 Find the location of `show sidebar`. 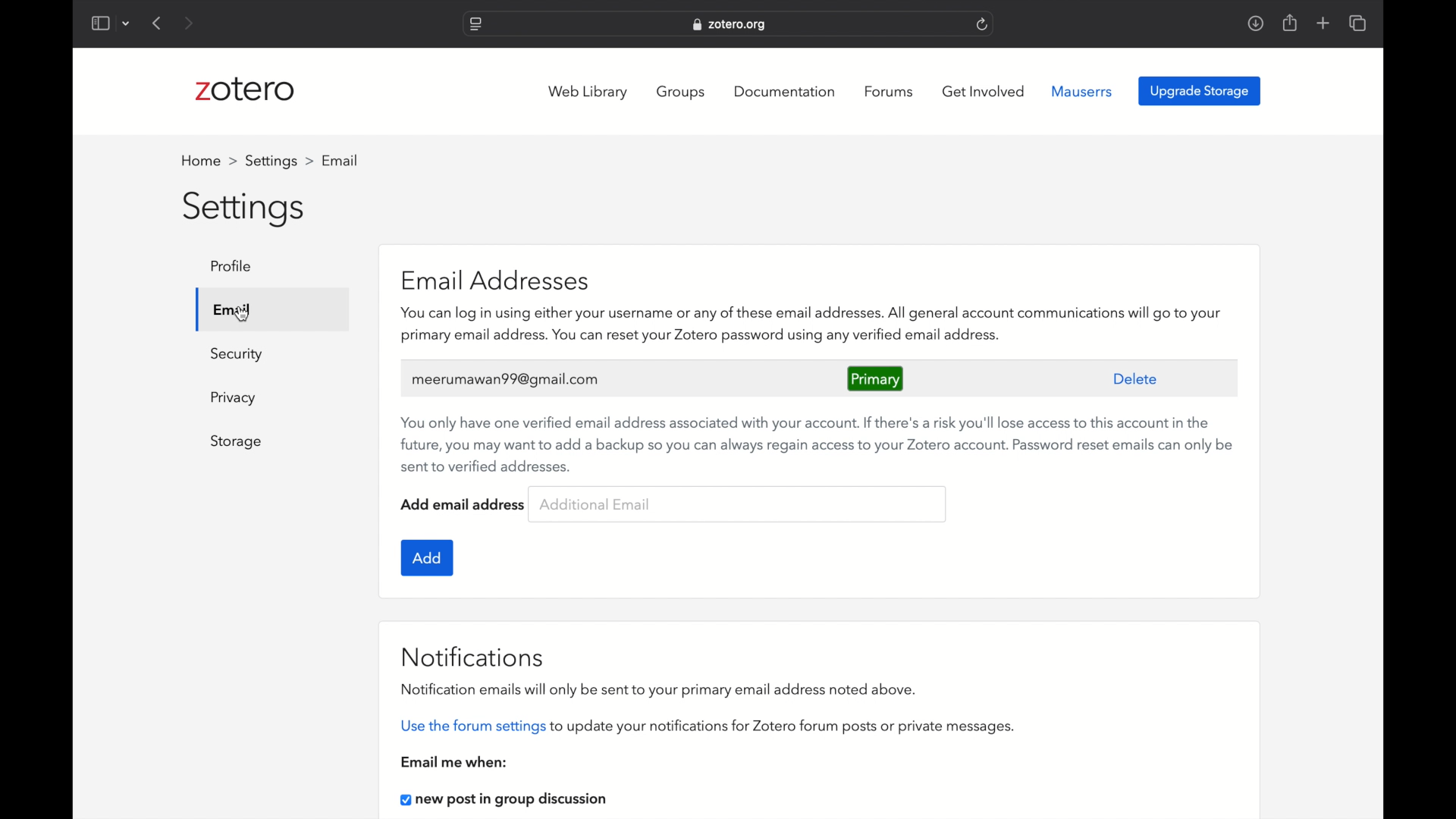

show sidebar is located at coordinates (99, 23).